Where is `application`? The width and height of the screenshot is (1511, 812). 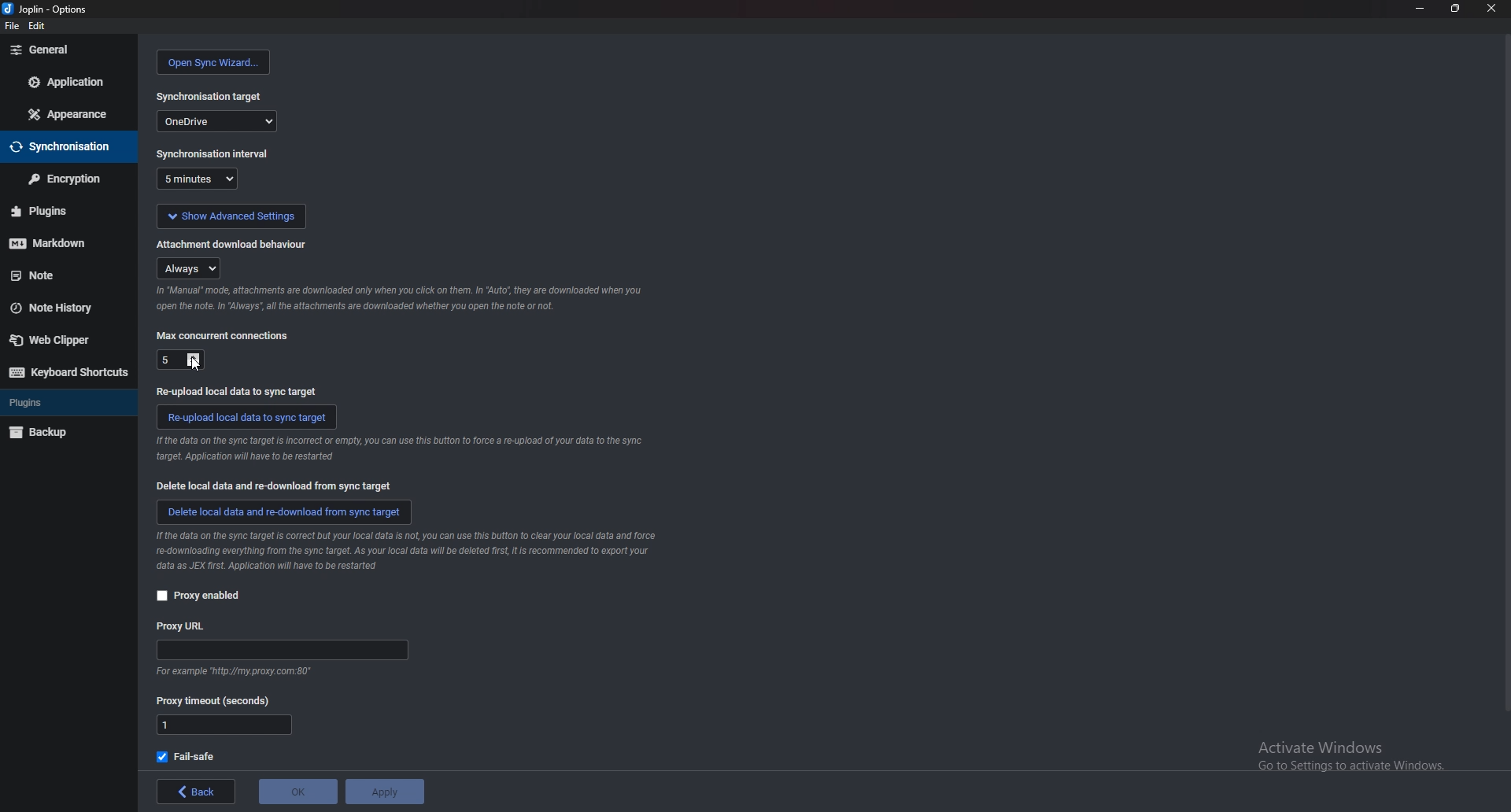
application is located at coordinates (69, 80).